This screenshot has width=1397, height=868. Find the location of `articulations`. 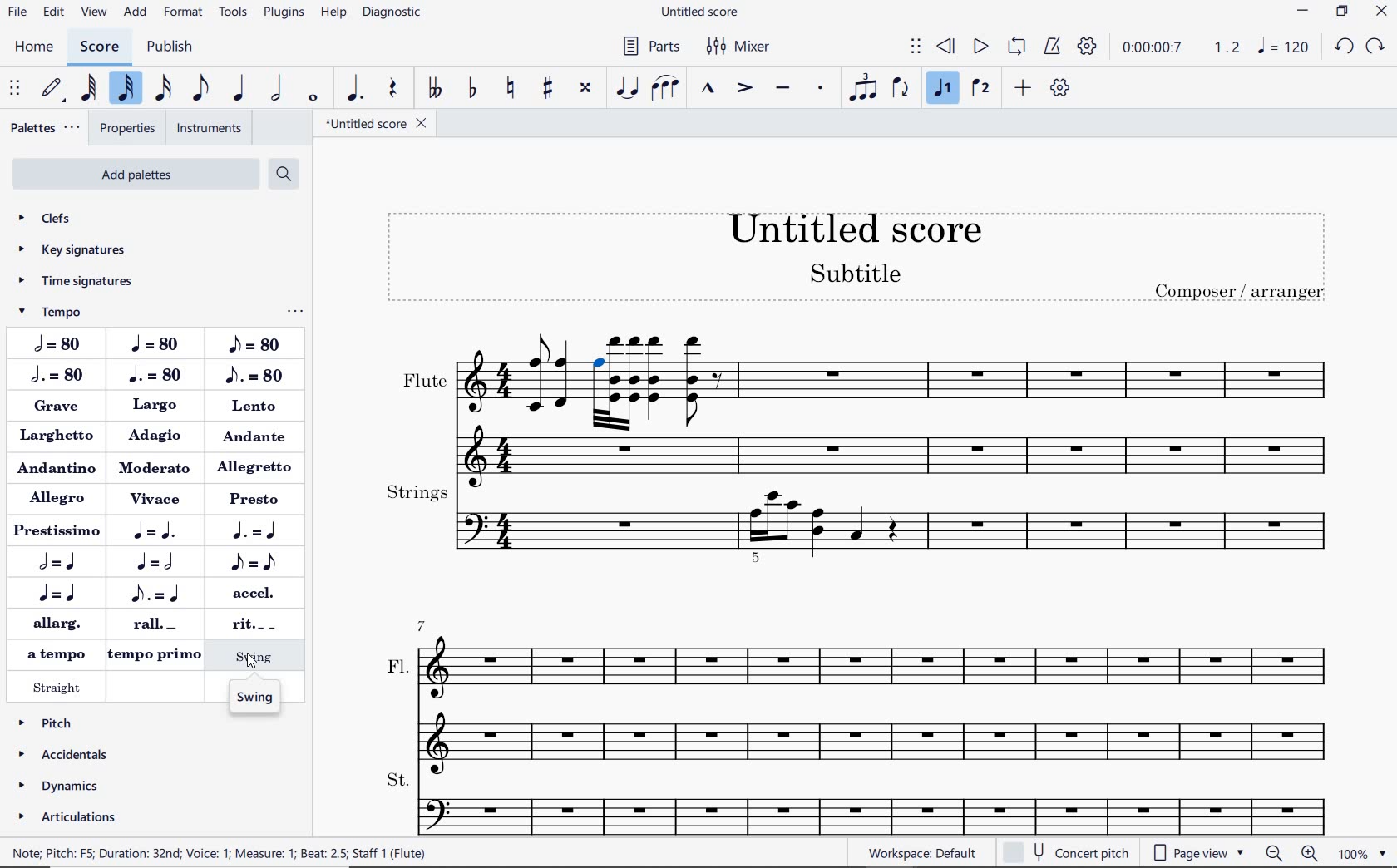

articulations is located at coordinates (66, 817).